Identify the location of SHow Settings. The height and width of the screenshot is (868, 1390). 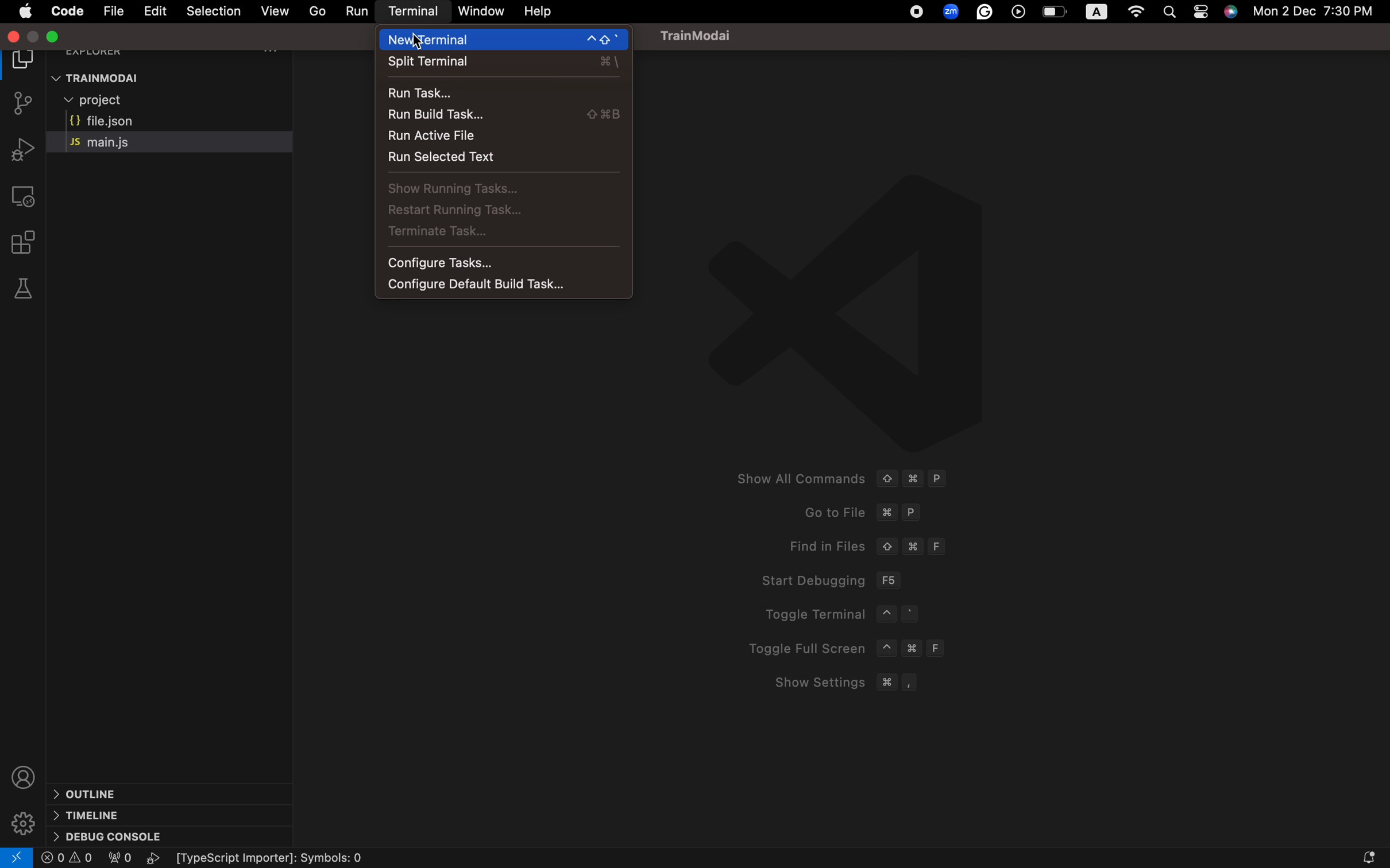
(837, 683).